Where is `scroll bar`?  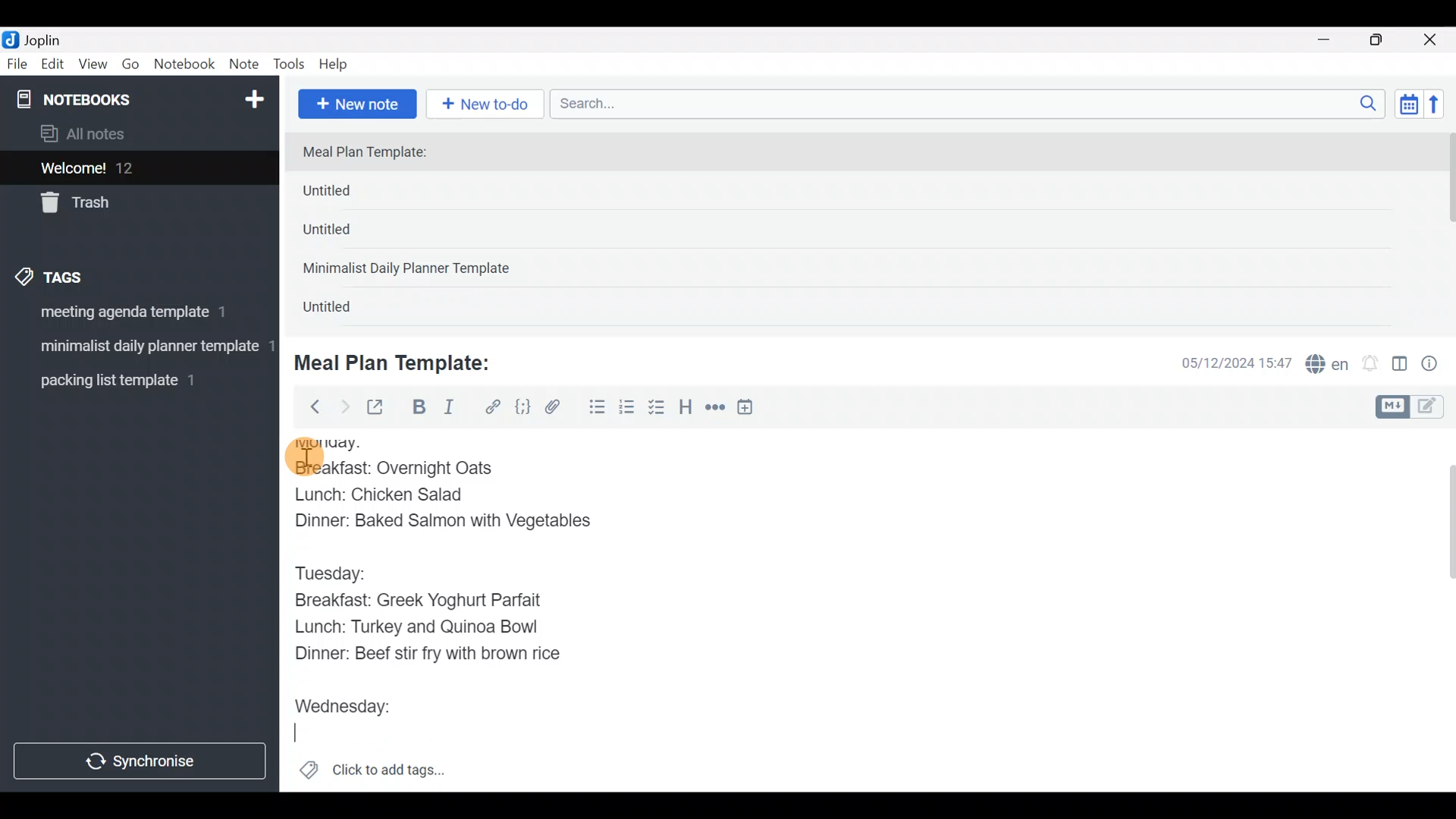 scroll bar is located at coordinates (1446, 229).